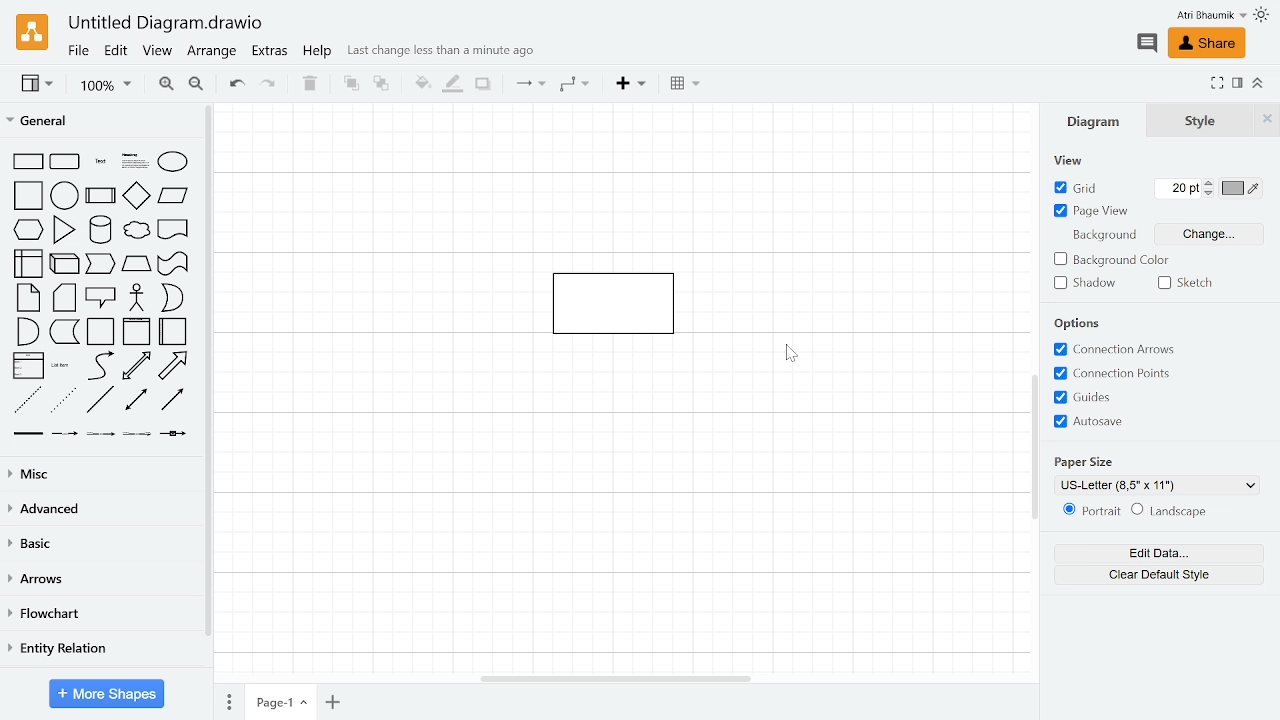 The width and height of the screenshot is (1280, 720). Describe the element at coordinates (105, 693) in the screenshot. I see `More shapes` at that location.